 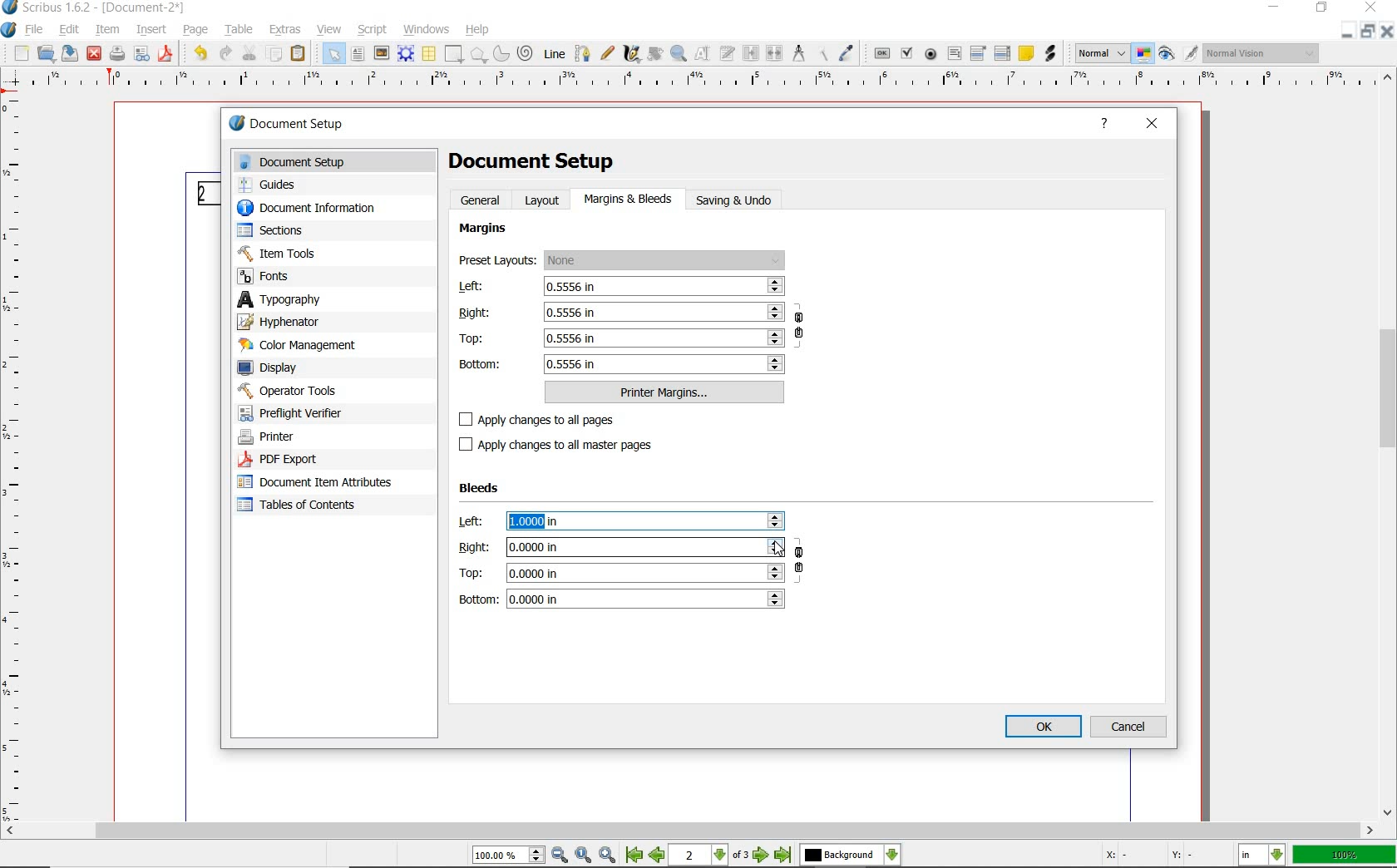 What do you see at coordinates (478, 31) in the screenshot?
I see `help` at bounding box center [478, 31].